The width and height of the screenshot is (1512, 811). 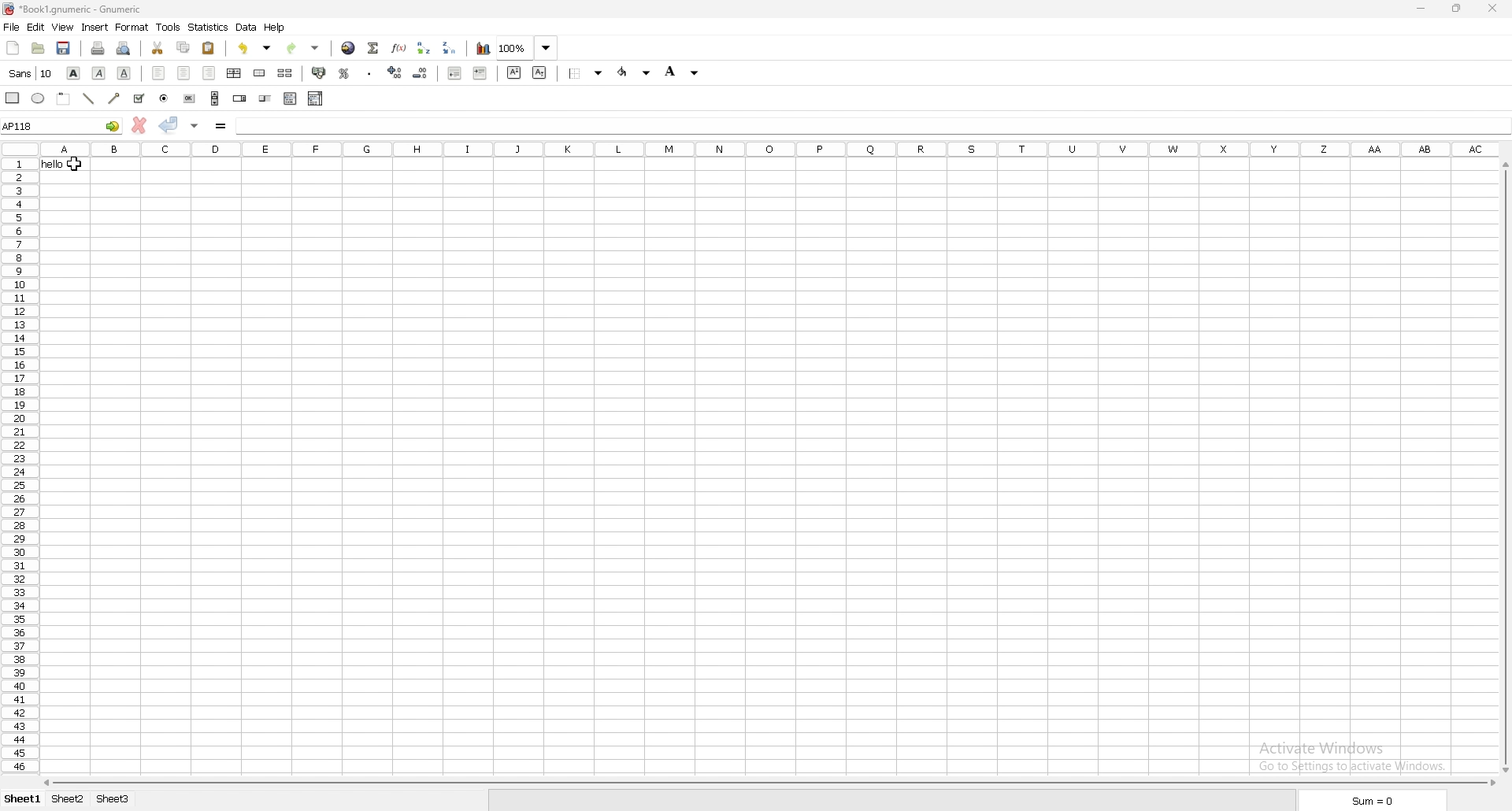 I want to click on percentage, so click(x=344, y=72).